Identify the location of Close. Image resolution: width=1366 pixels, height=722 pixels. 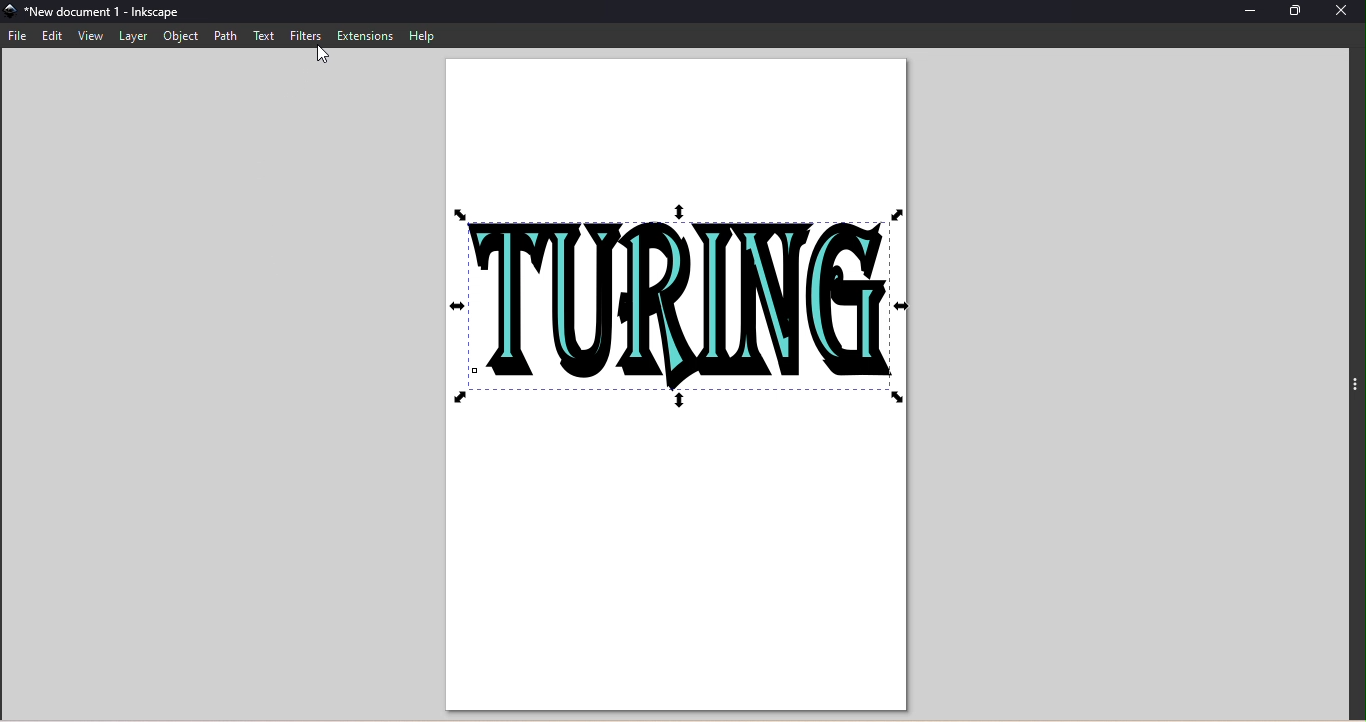
(1343, 14).